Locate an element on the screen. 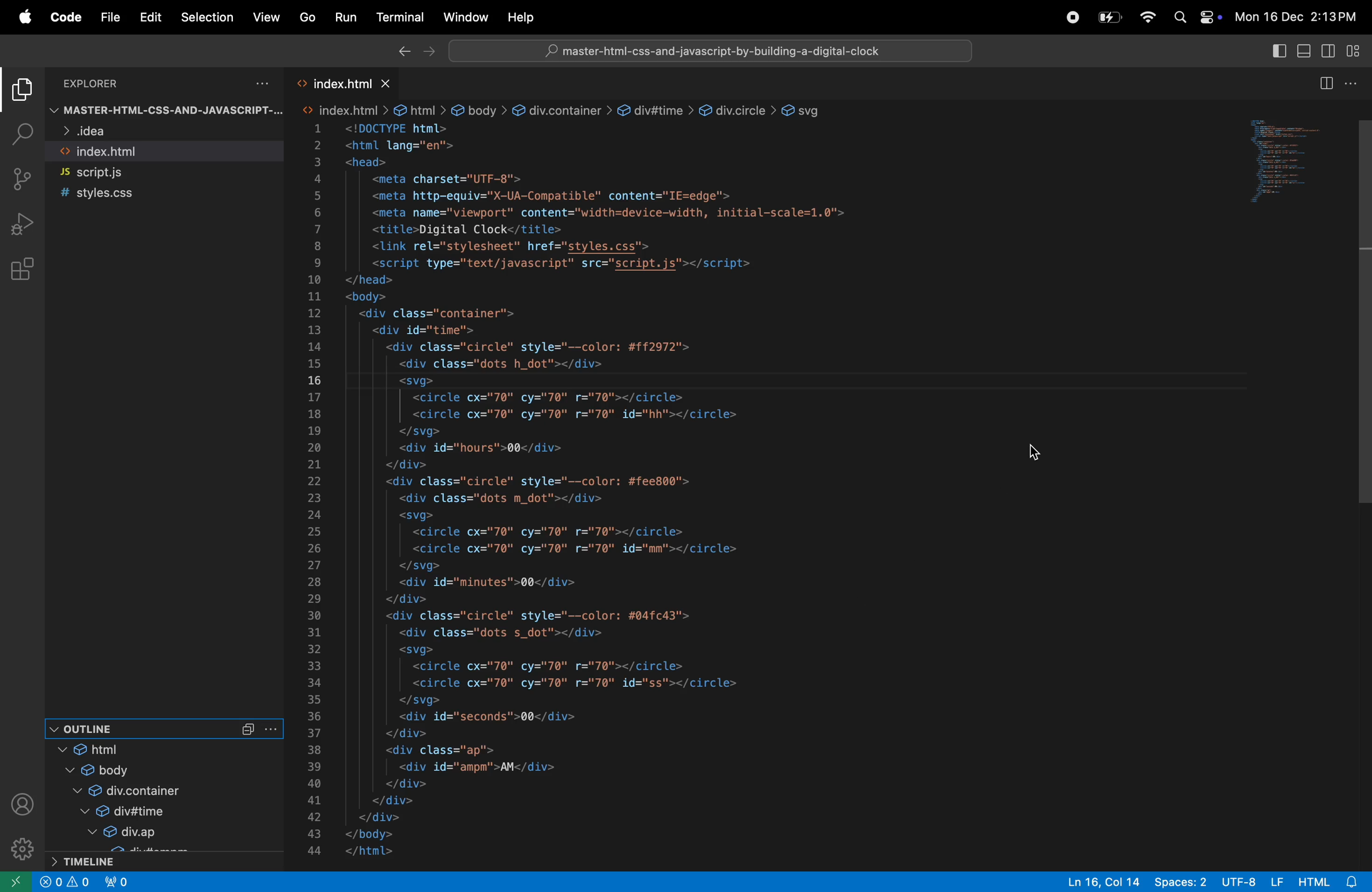 This screenshot has width=1372, height=892. more is located at coordinates (273, 729).